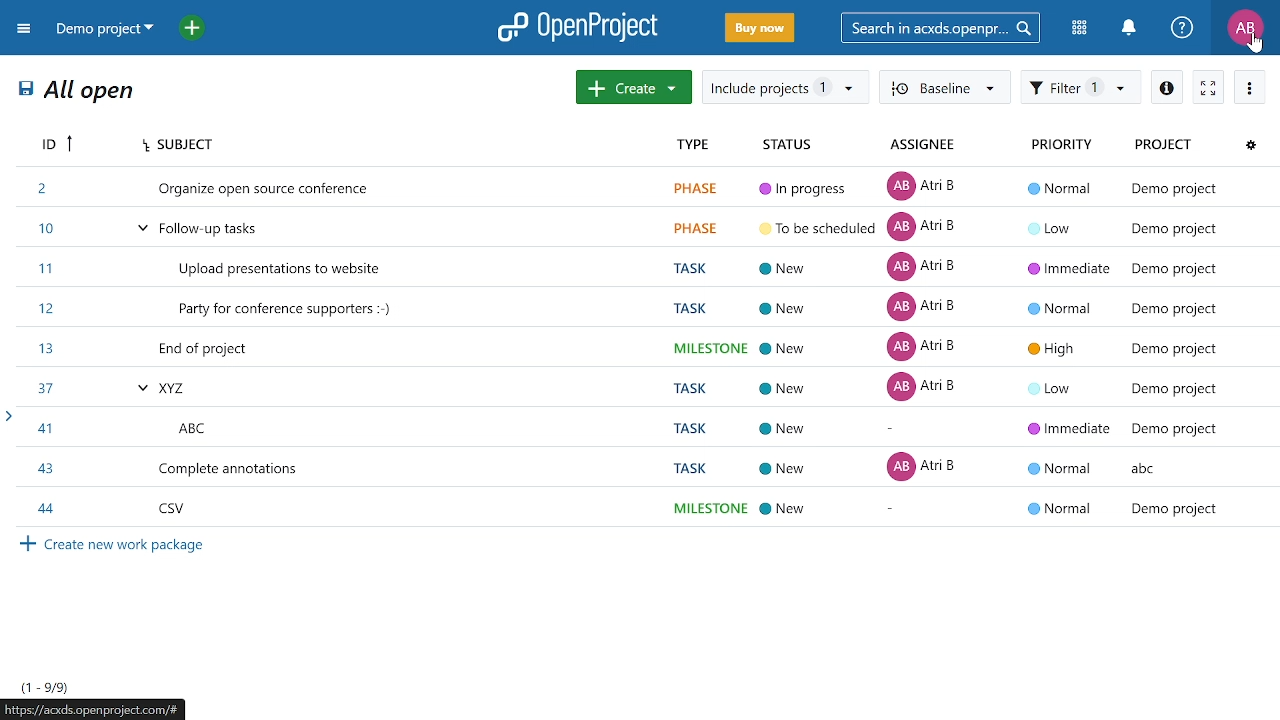 Image resolution: width=1280 pixels, height=720 pixels. I want to click on task titled "CSV", so click(641, 509).